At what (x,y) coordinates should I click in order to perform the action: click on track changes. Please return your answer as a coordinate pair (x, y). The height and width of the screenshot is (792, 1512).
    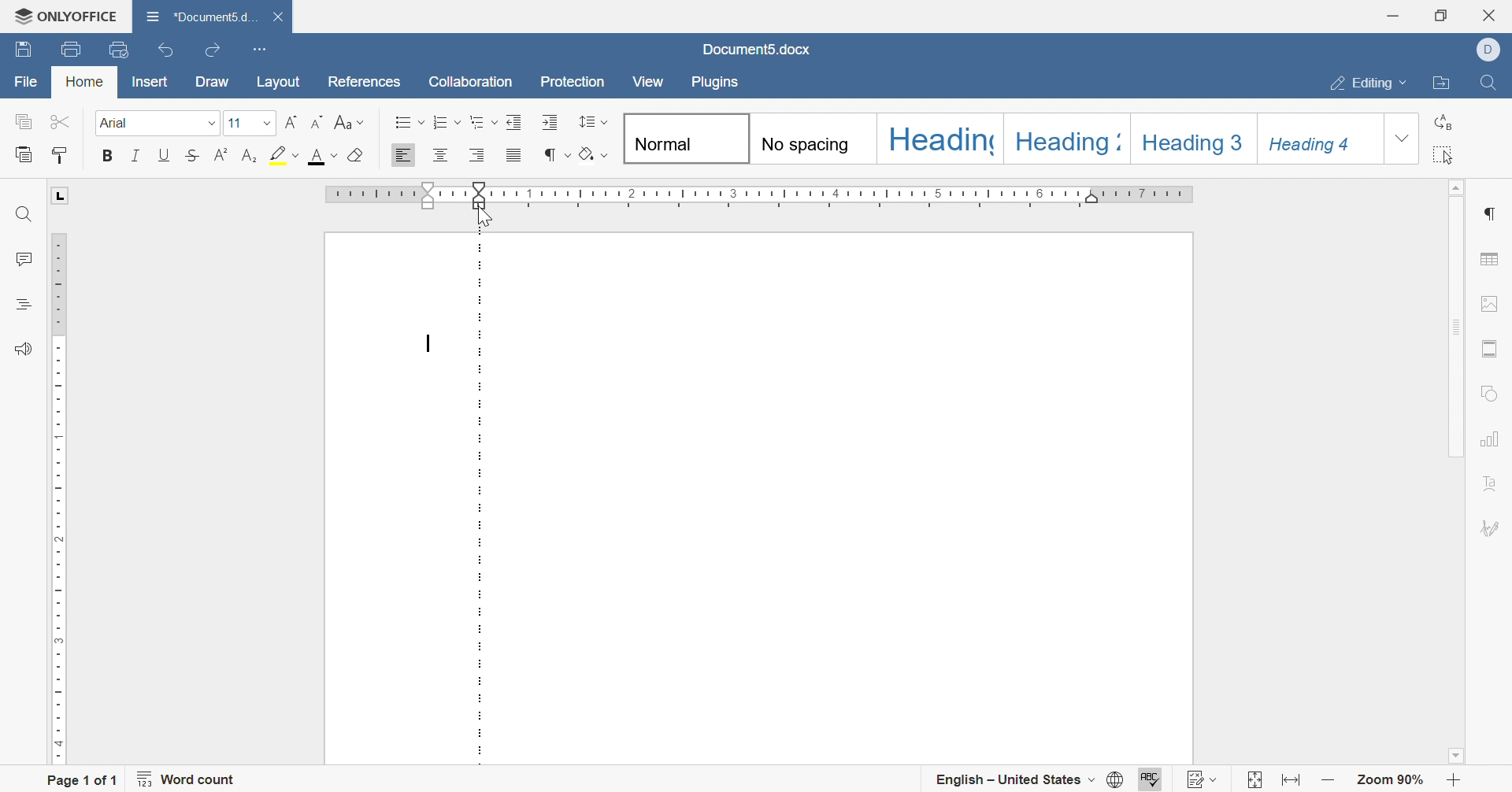
    Looking at the image, I should click on (1205, 779).